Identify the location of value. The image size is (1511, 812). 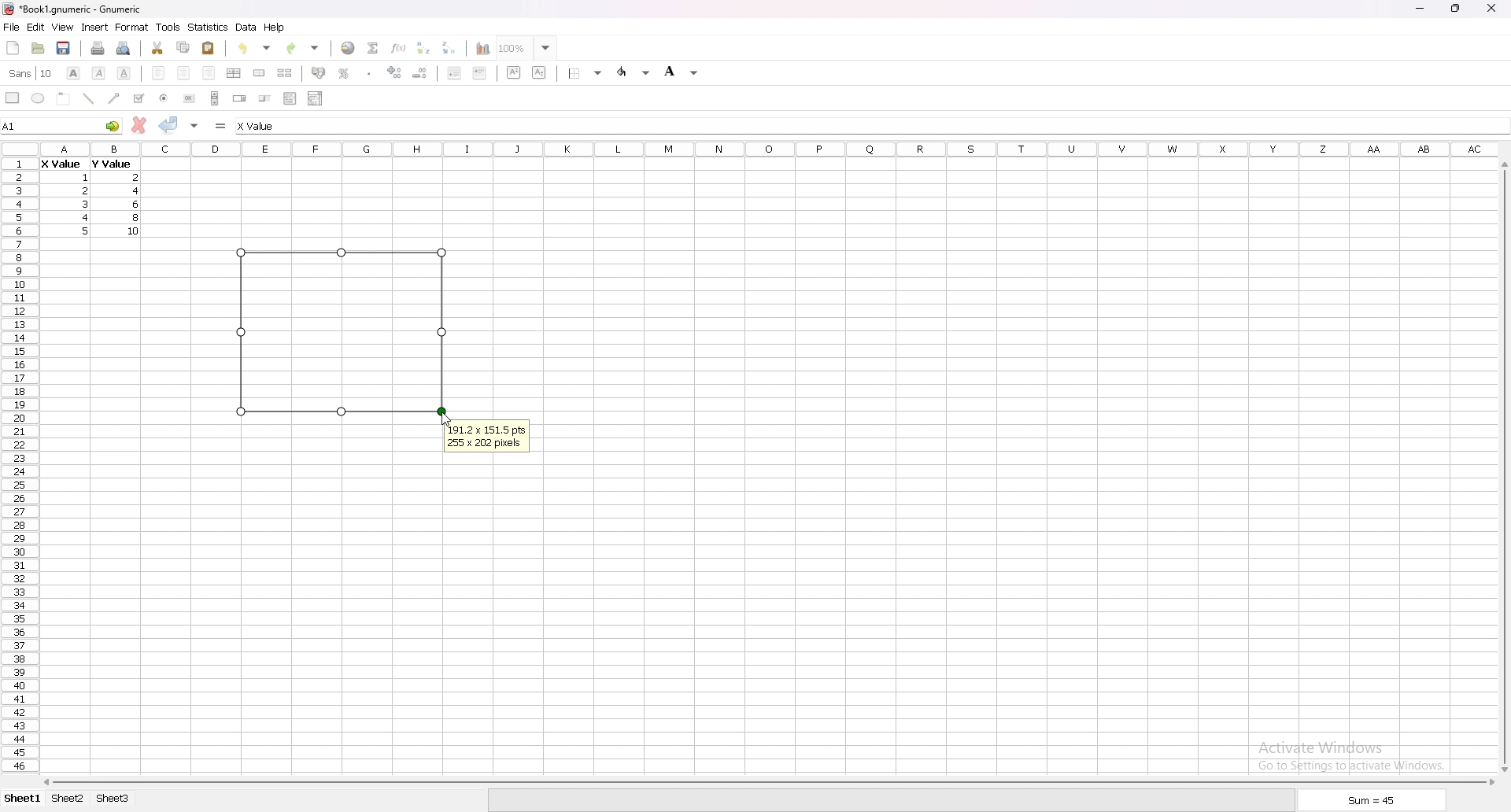
(137, 218).